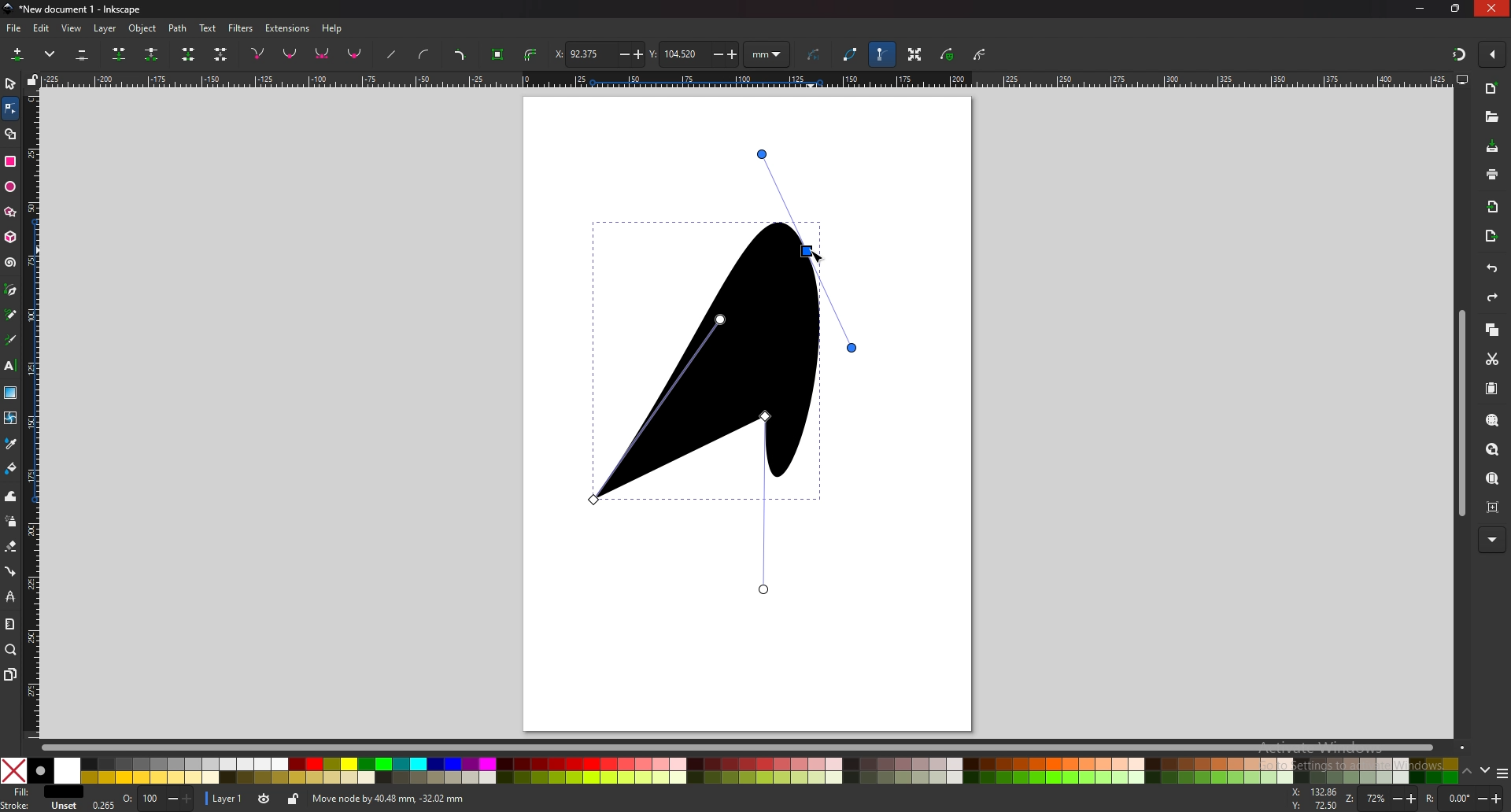 The width and height of the screenshot is (1511, 812). Describe the element at coordinates (42, 29) in the screenshot. I see `edit` at that location.